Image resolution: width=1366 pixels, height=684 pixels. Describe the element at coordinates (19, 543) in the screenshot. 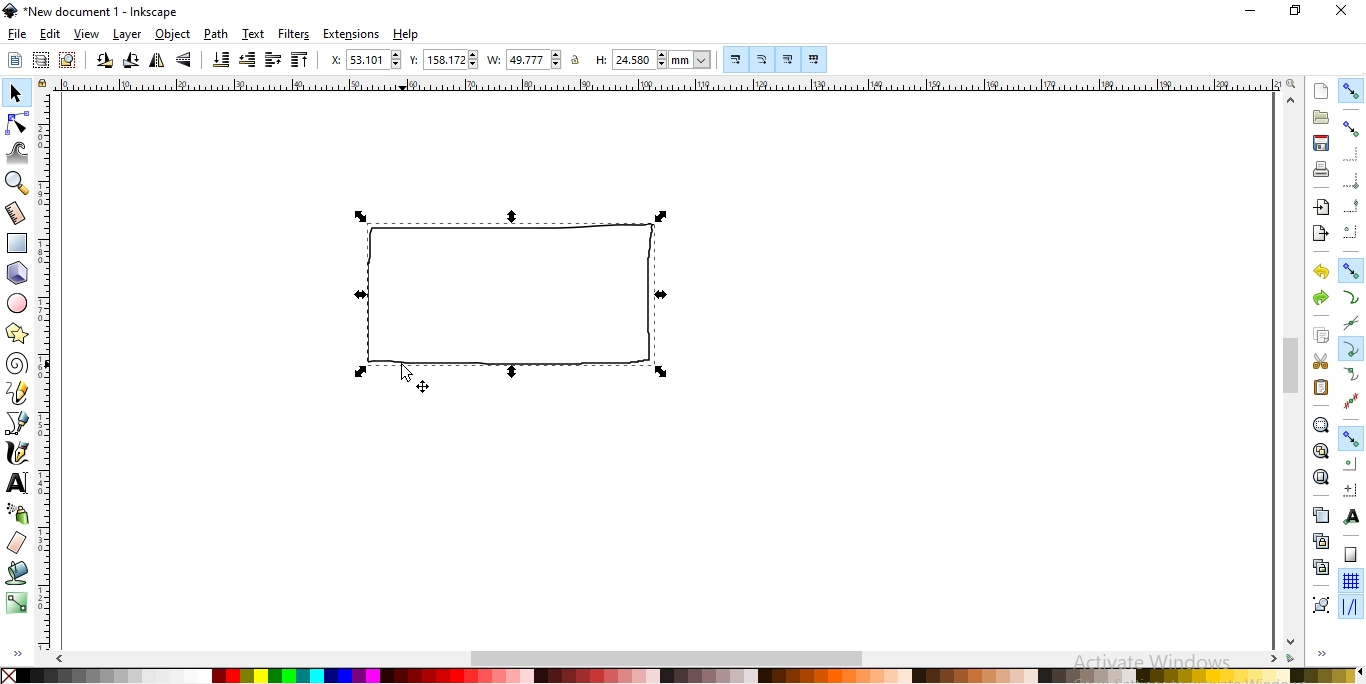

I see `erase existing paths` at that location.